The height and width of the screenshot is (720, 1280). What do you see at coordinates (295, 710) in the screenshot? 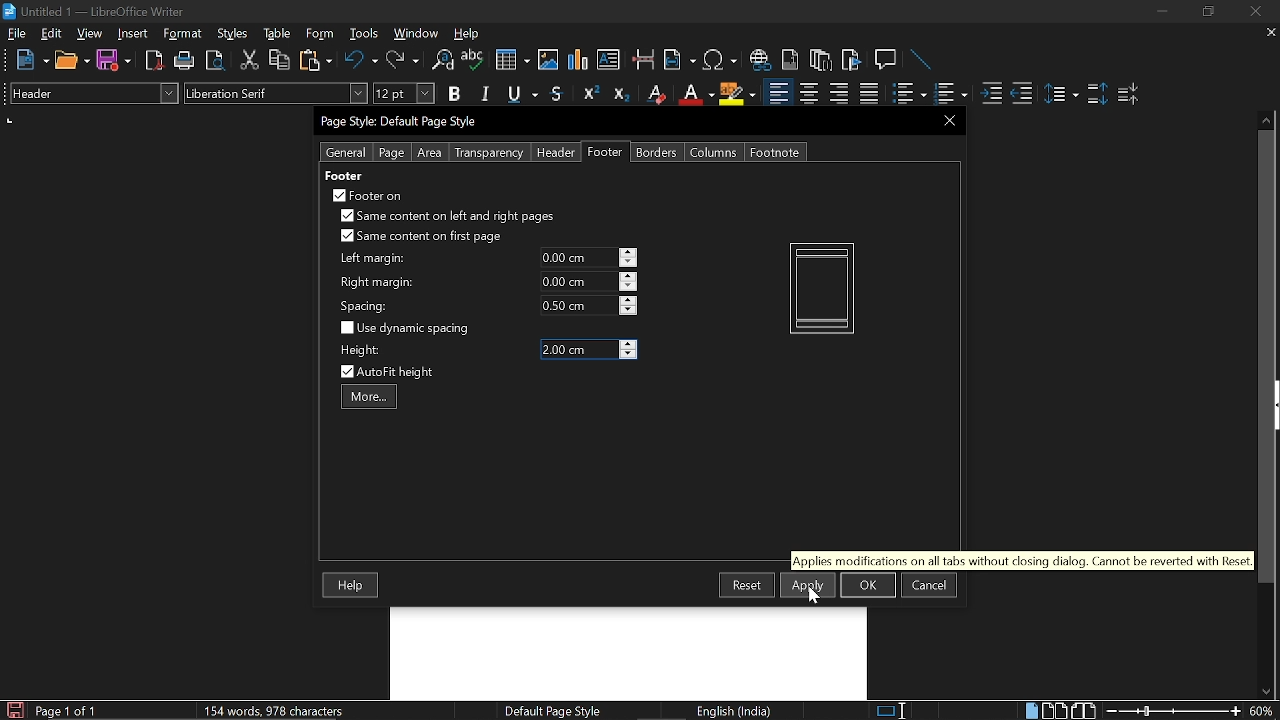
I see `Word count` at bounding box center [295, 710].